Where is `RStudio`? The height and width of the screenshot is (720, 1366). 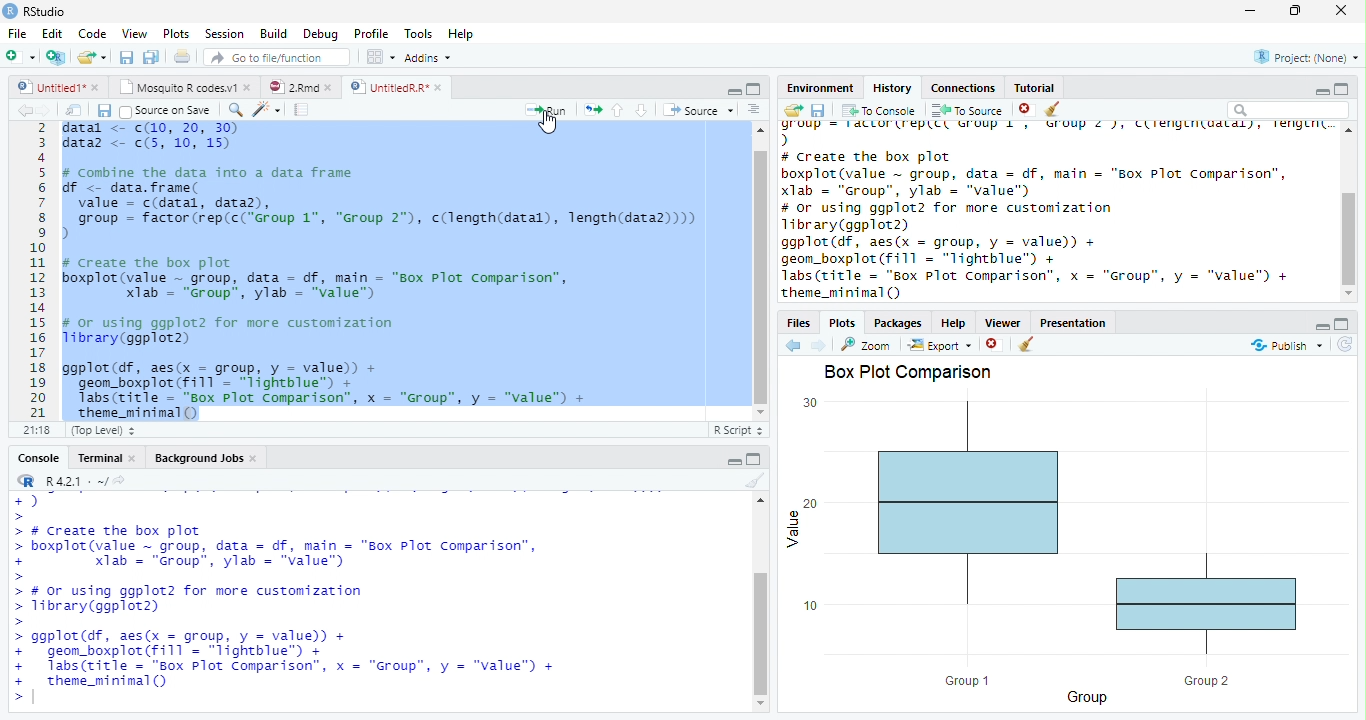 RStudio is located at coordinates (35, 12).